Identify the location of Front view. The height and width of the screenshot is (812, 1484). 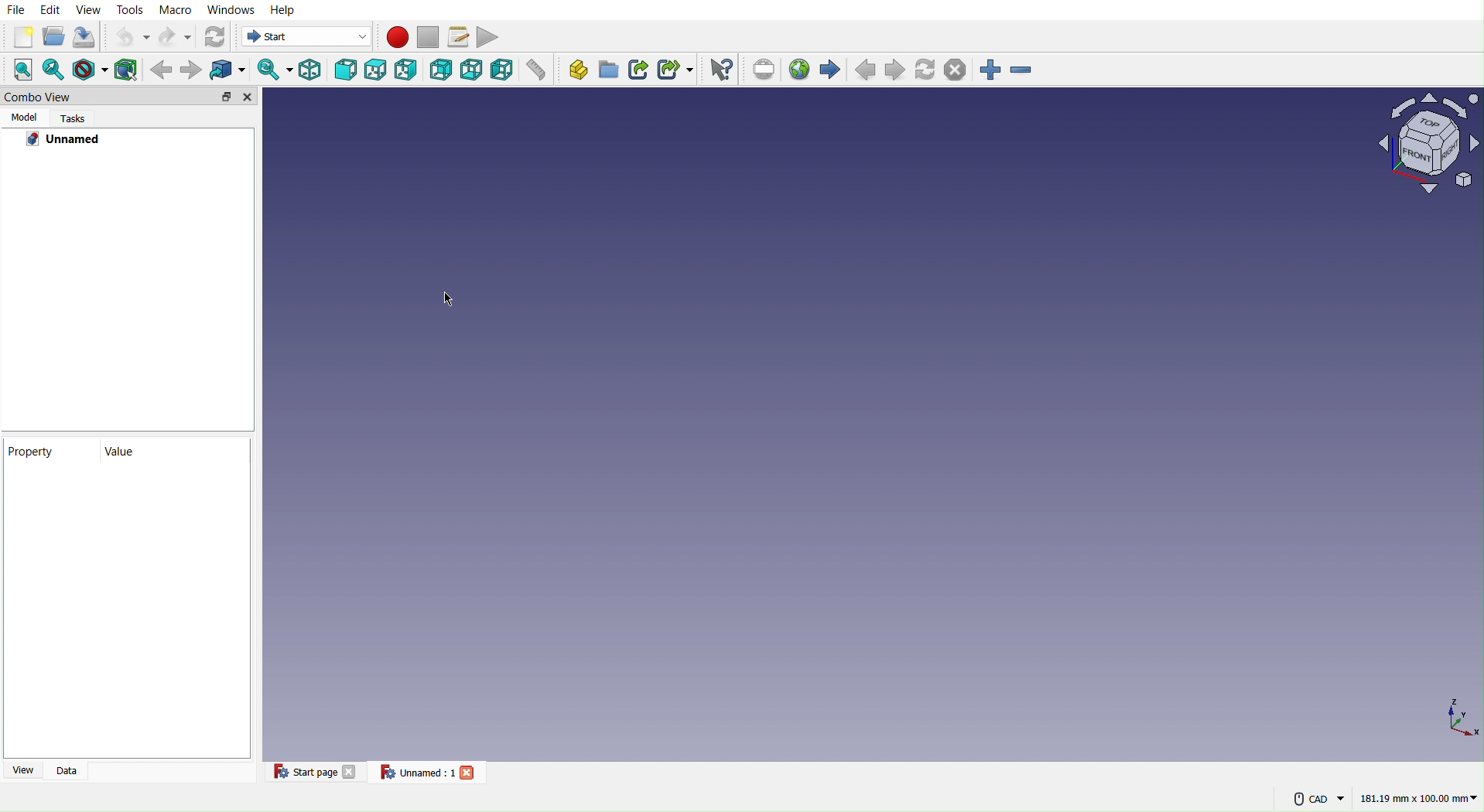
(345, 69).